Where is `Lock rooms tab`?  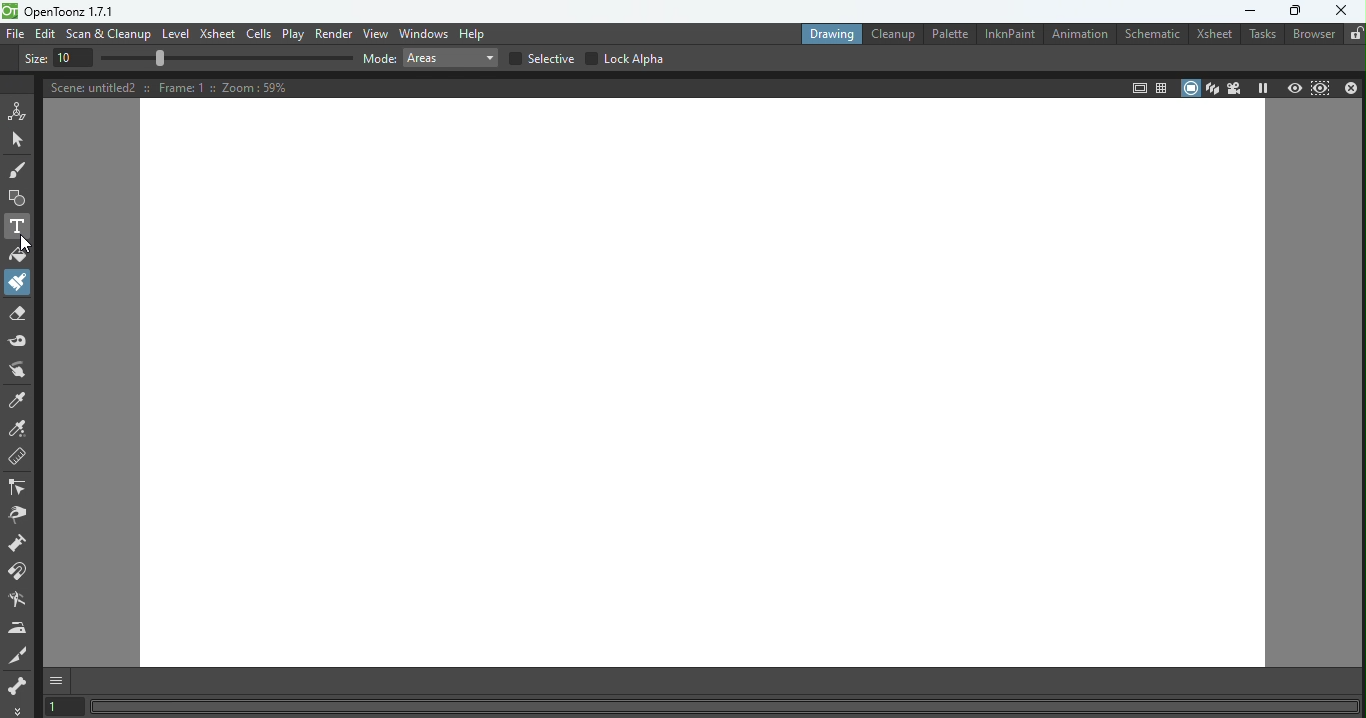 Lock rooms tab is located at coordinates (1354, 35).